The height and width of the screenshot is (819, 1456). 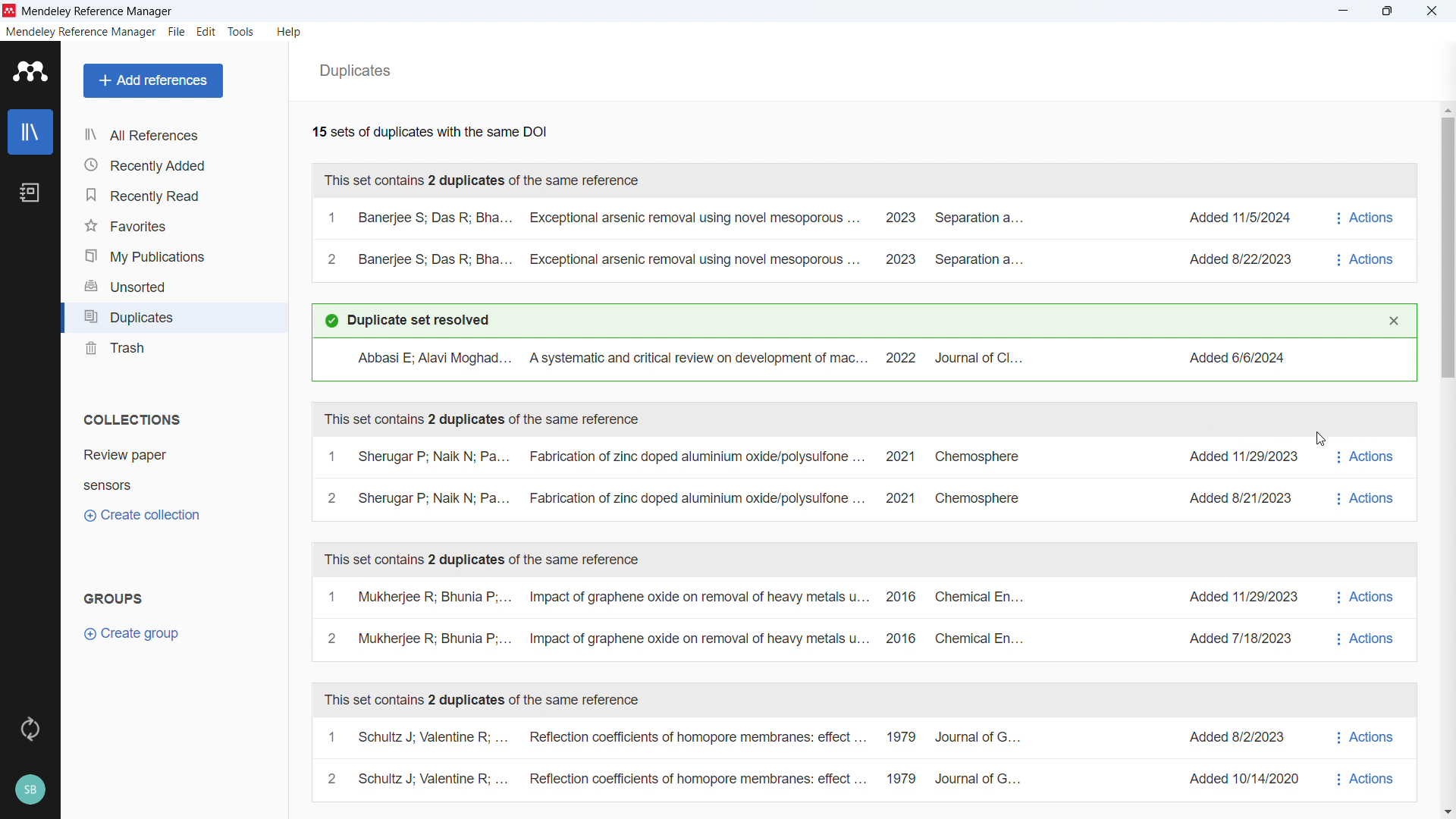 I want to click on Unsorted , so click(x=172, y=284).